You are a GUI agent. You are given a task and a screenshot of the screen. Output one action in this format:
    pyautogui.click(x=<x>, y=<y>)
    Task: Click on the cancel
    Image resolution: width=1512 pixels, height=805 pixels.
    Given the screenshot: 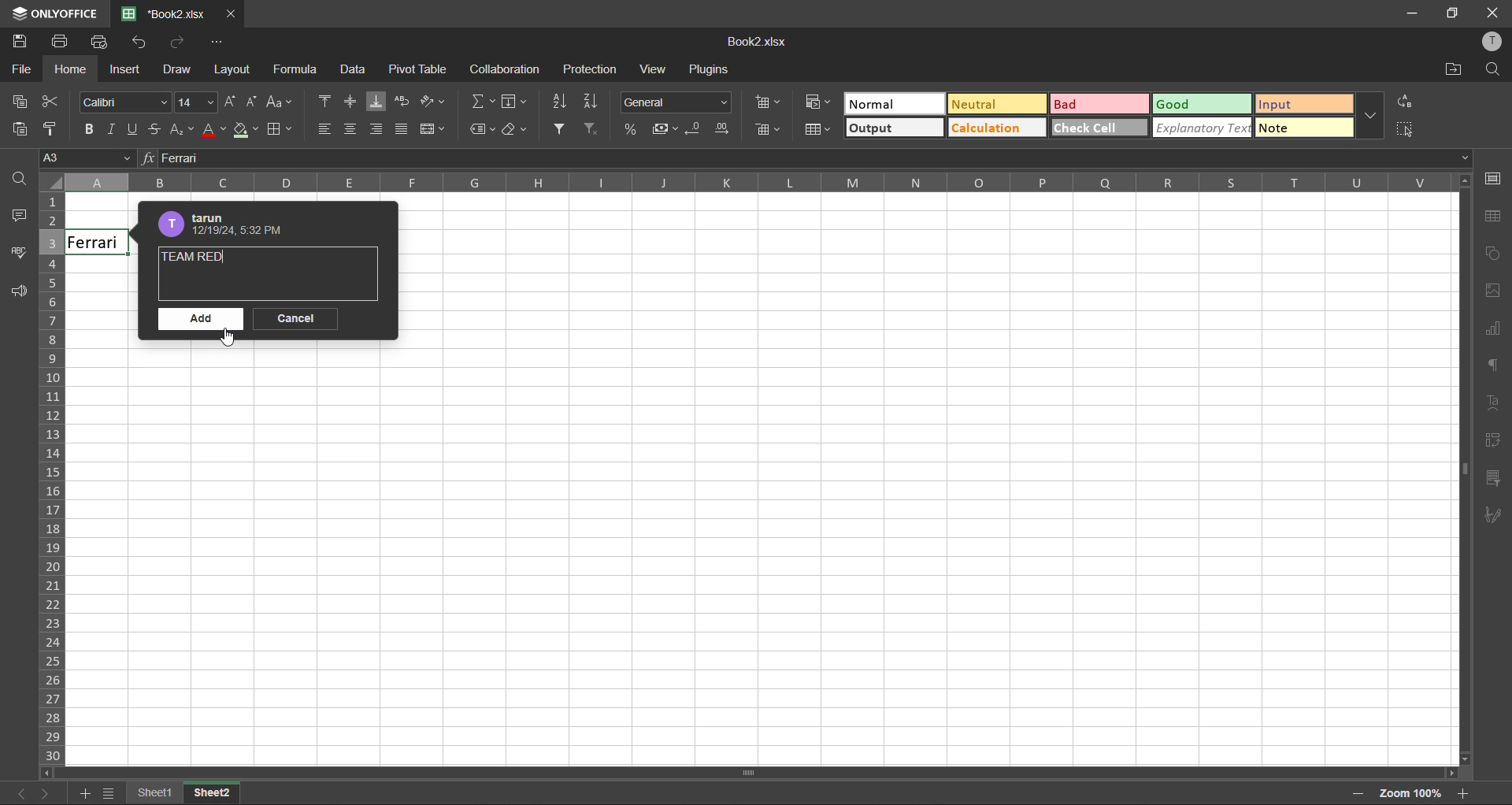 What is the action you would take?
    pyautogui.click(x=295, y=319)
    